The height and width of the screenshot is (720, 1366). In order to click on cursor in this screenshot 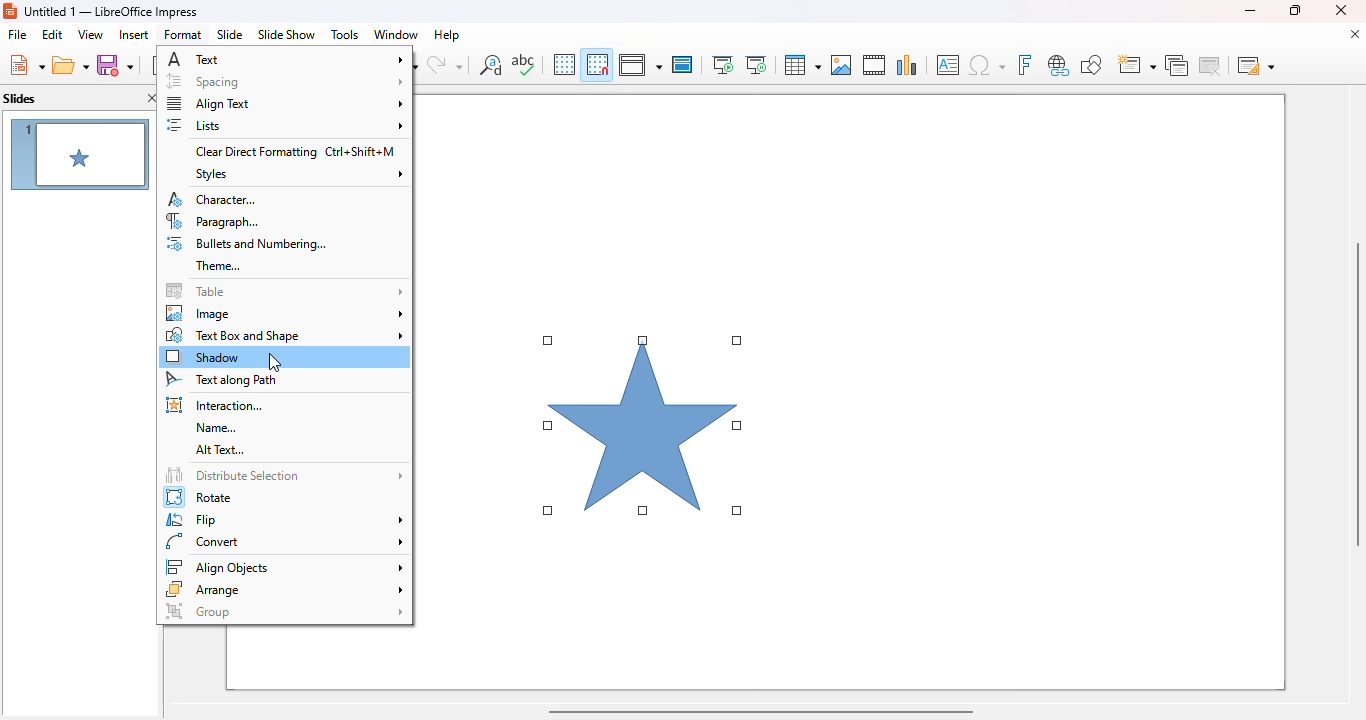, I will do `click(275, 362)`.